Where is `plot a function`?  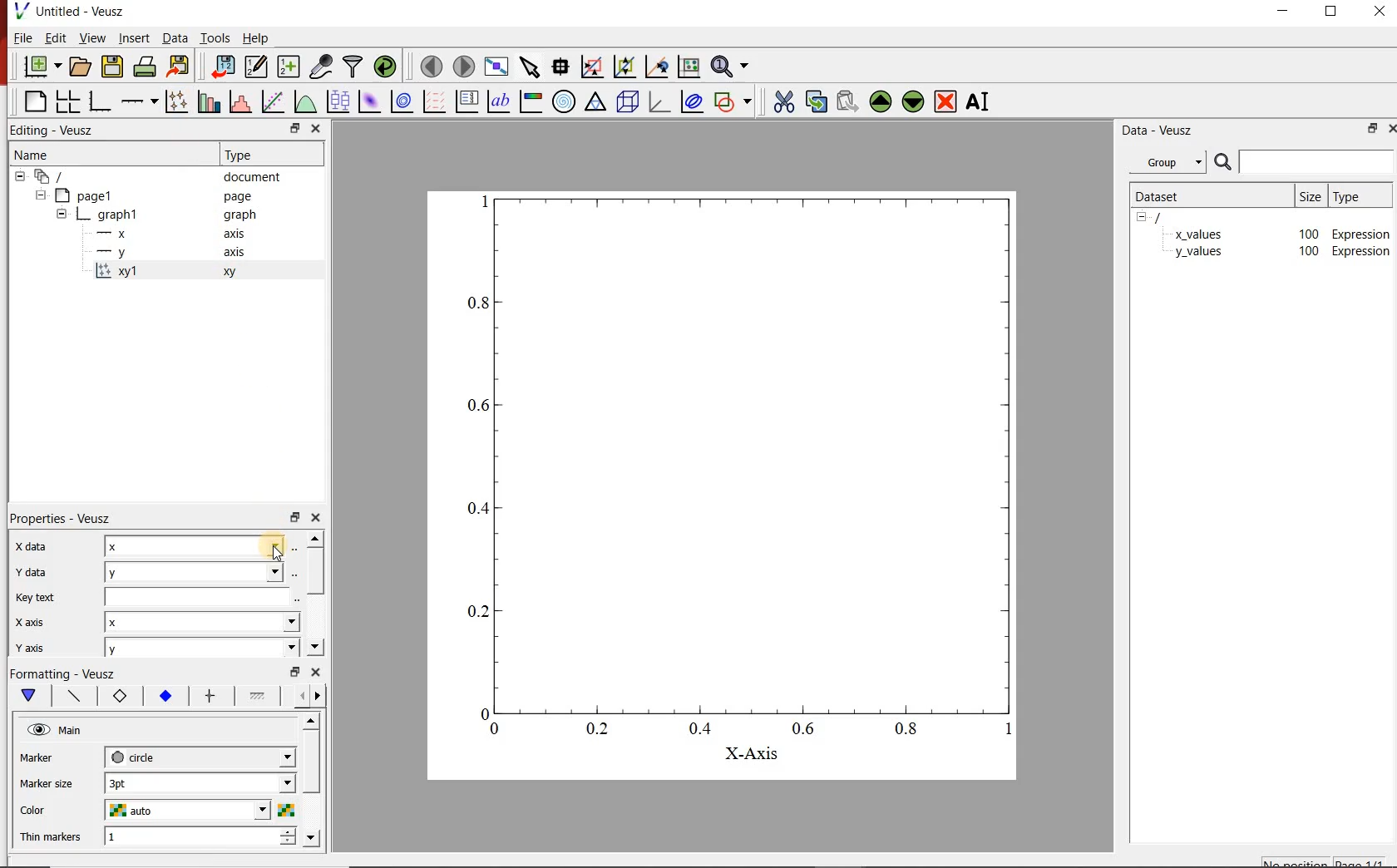 plot a function is located at coordinates (303, 100).